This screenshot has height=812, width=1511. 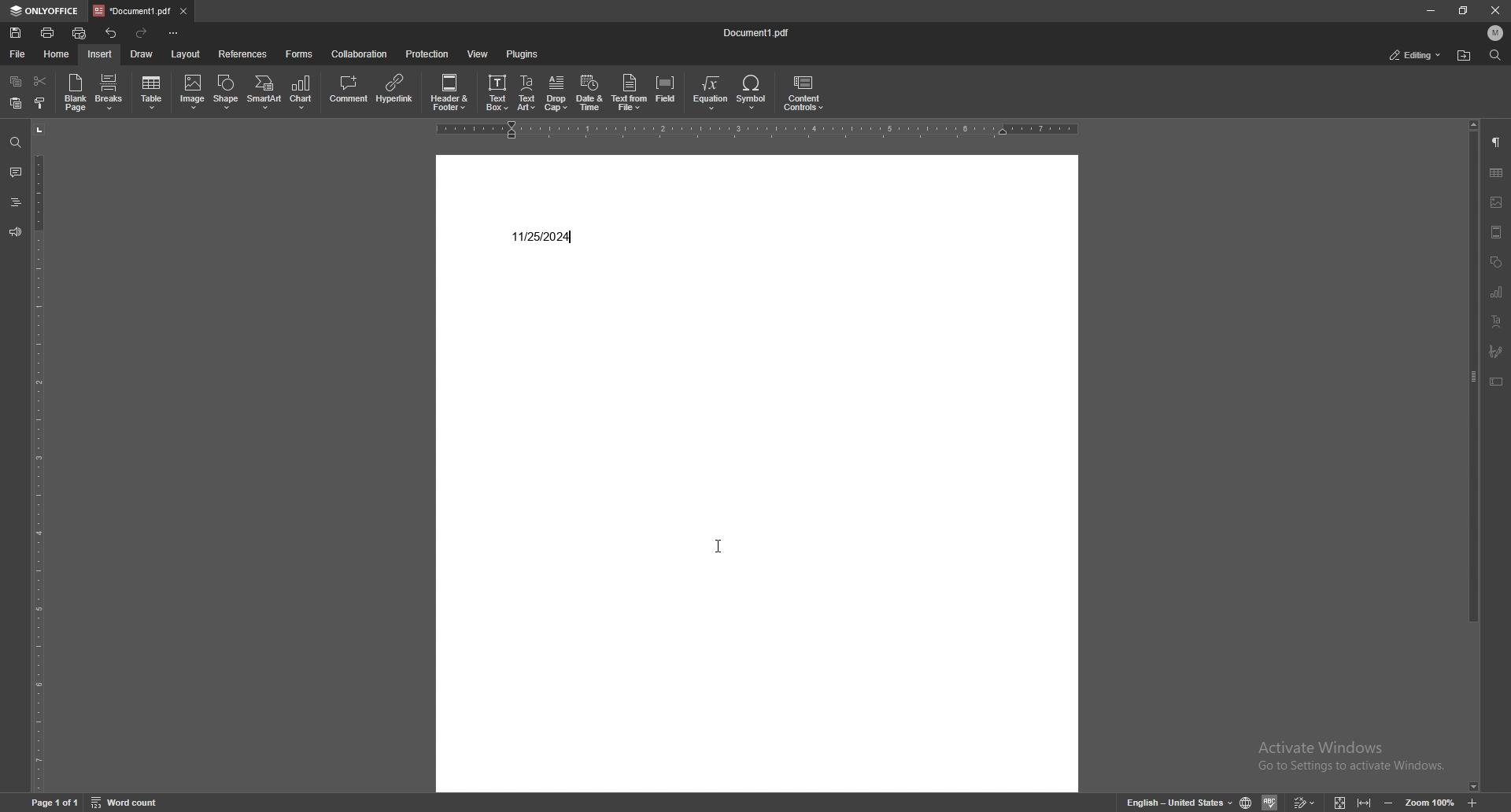 I want to click on scroll bar, so click(x=1472, y=456).